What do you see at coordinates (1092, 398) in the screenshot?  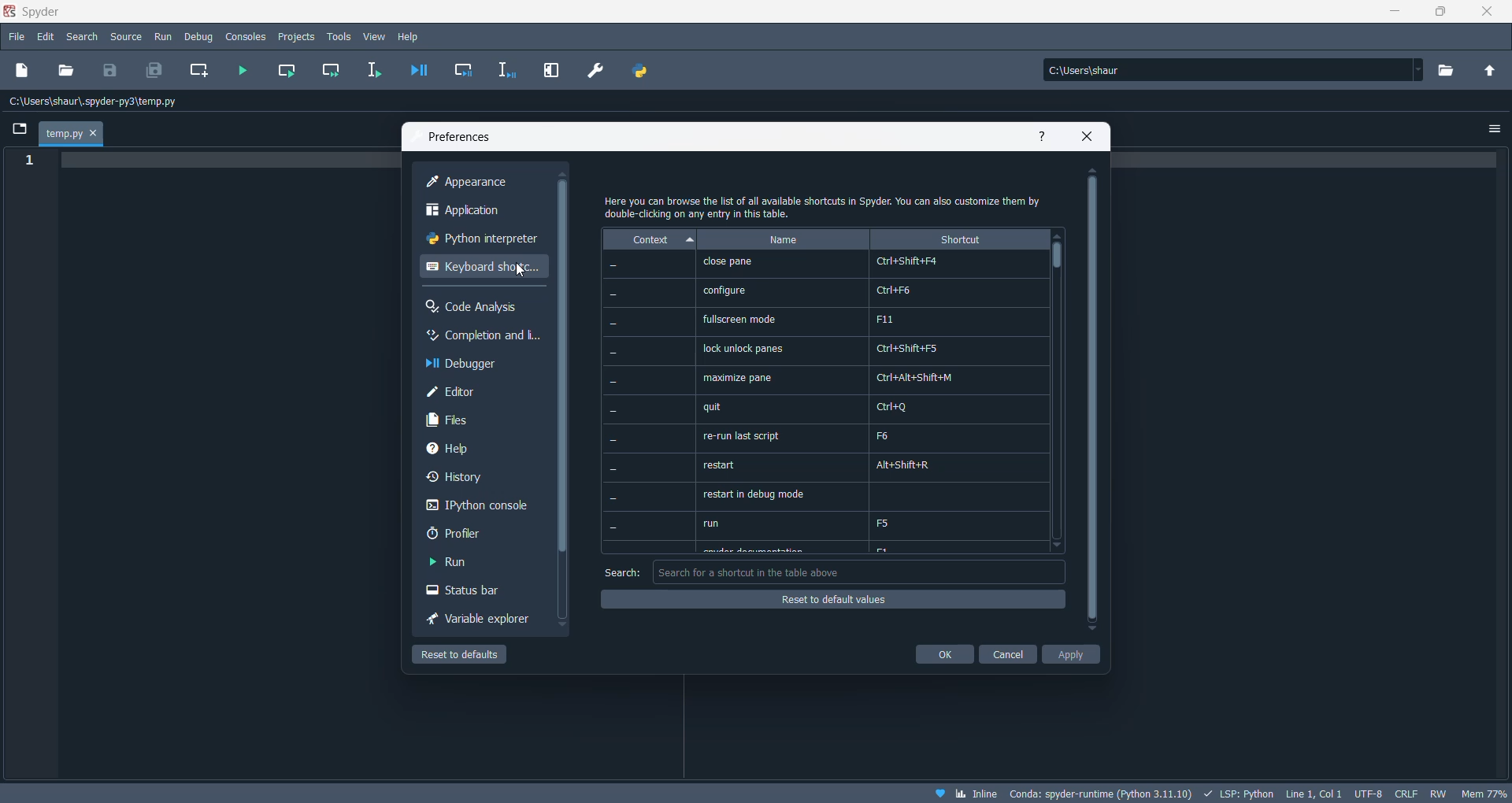 I see `scrollbar` at bounding box center [1092, 398].